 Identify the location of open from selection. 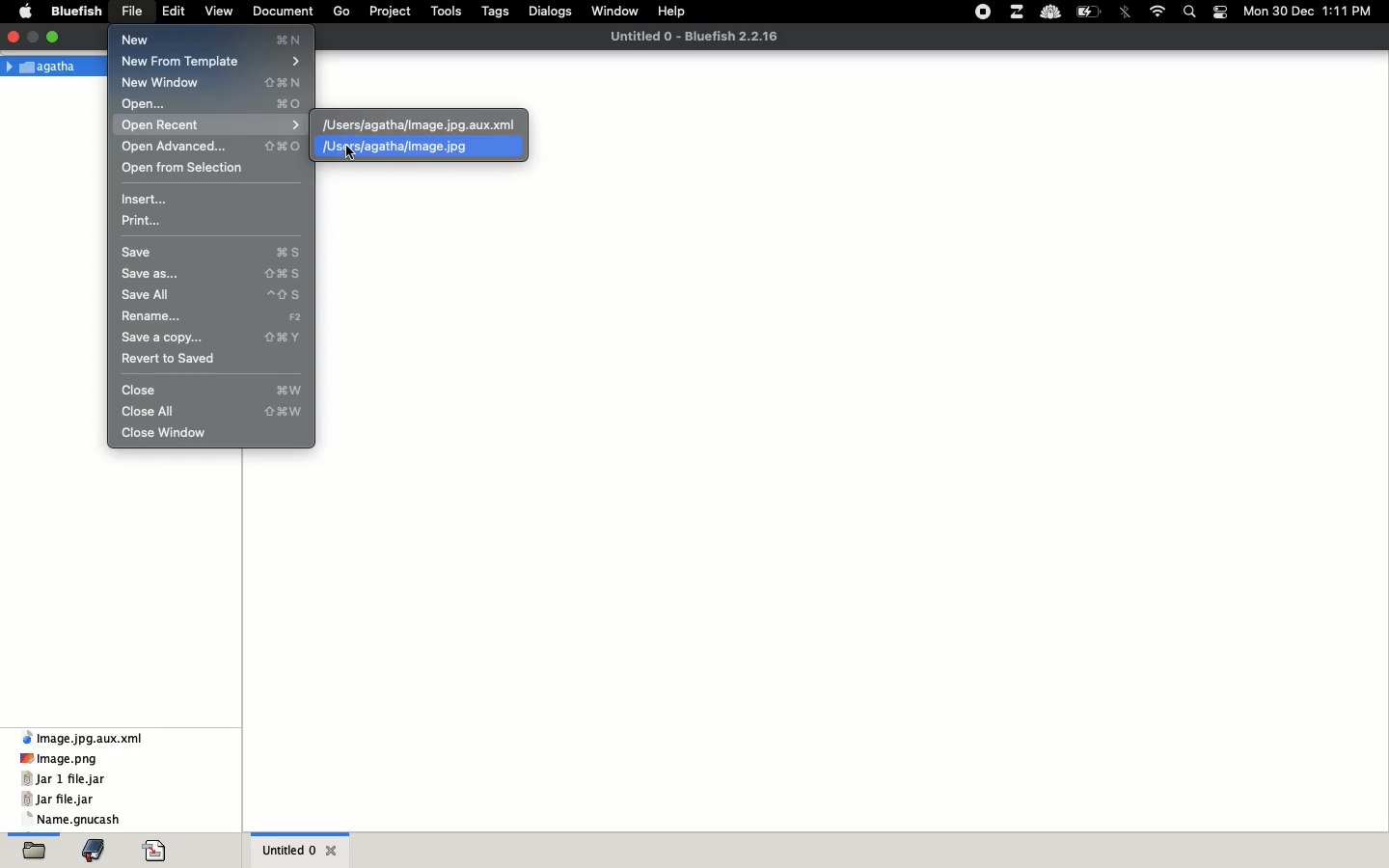
(180, 168).